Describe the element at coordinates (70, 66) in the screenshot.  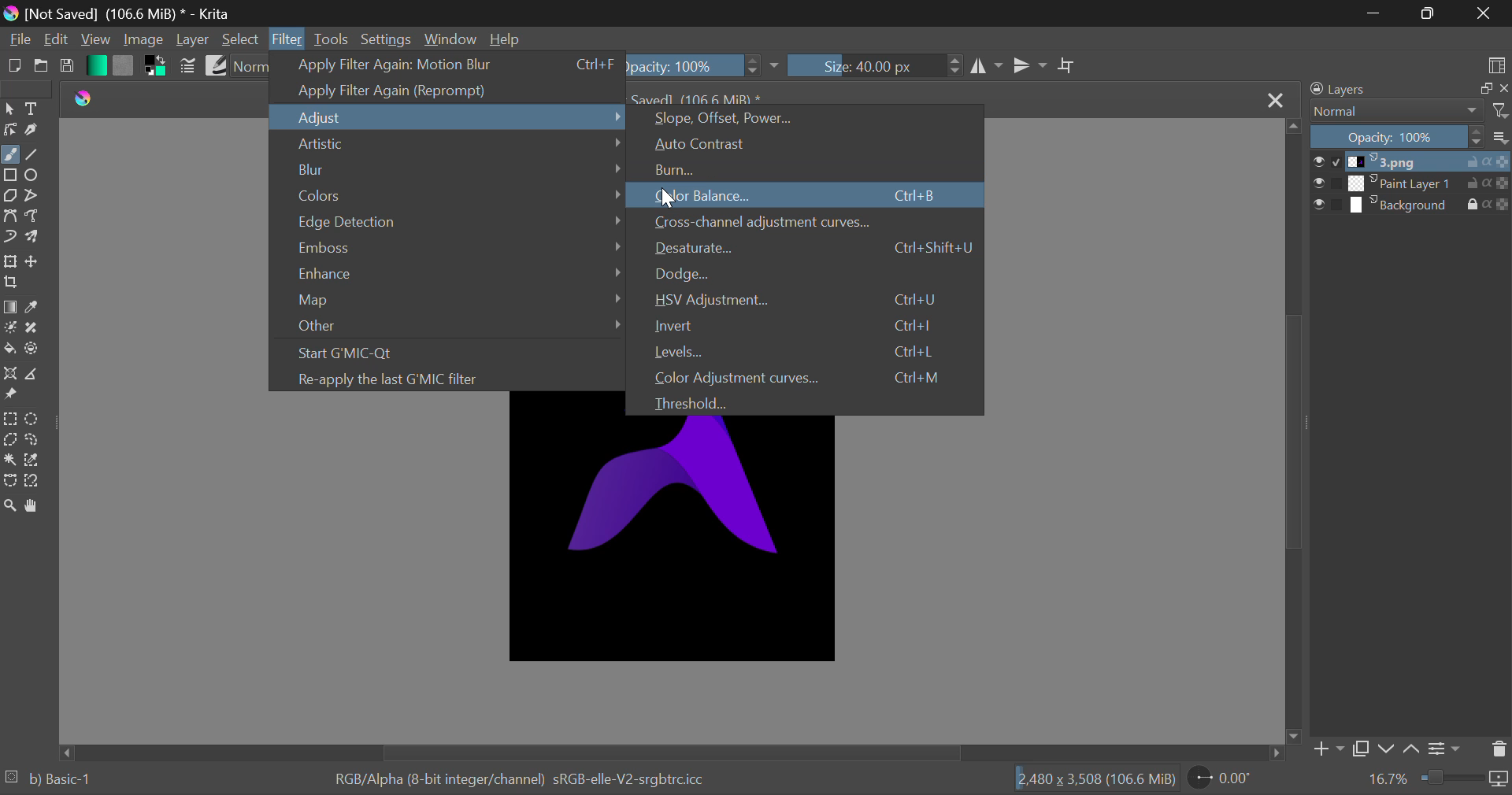
I see `Save` at that location.